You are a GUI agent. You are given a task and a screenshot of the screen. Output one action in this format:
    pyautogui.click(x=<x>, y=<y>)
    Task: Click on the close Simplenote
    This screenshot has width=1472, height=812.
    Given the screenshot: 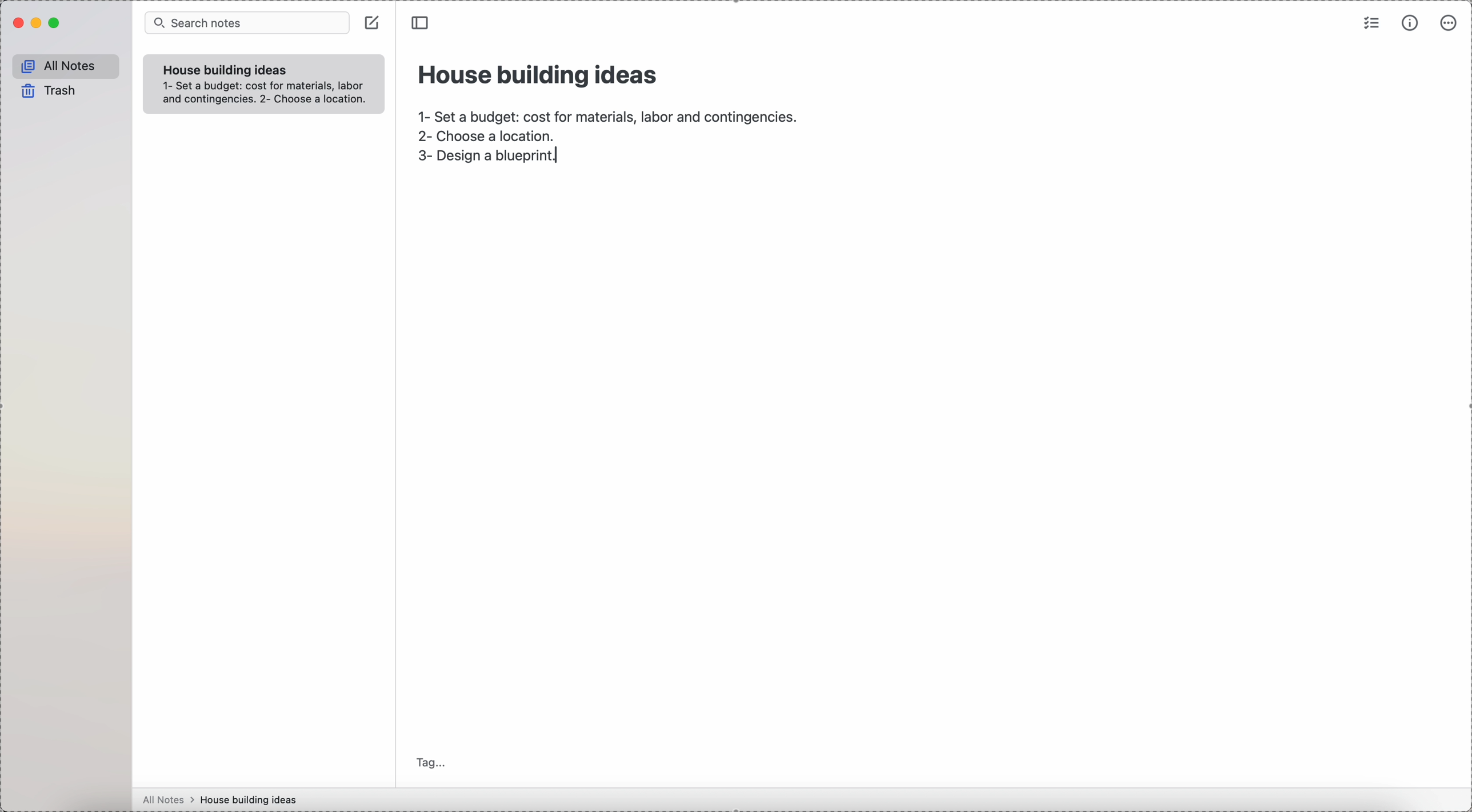 What is the action you would take?
    pyautogui.click(x=18, y=23)
    